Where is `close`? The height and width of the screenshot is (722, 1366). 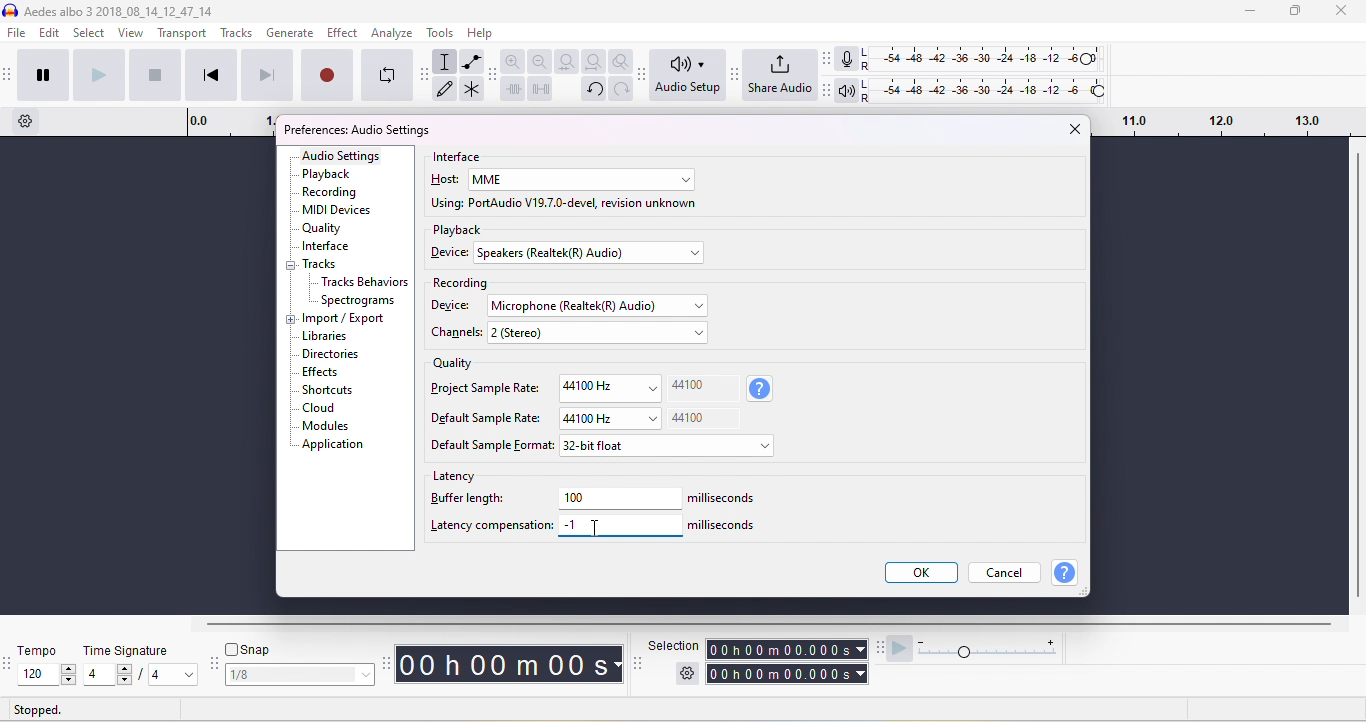 close is located at coordinates (1340, 12).